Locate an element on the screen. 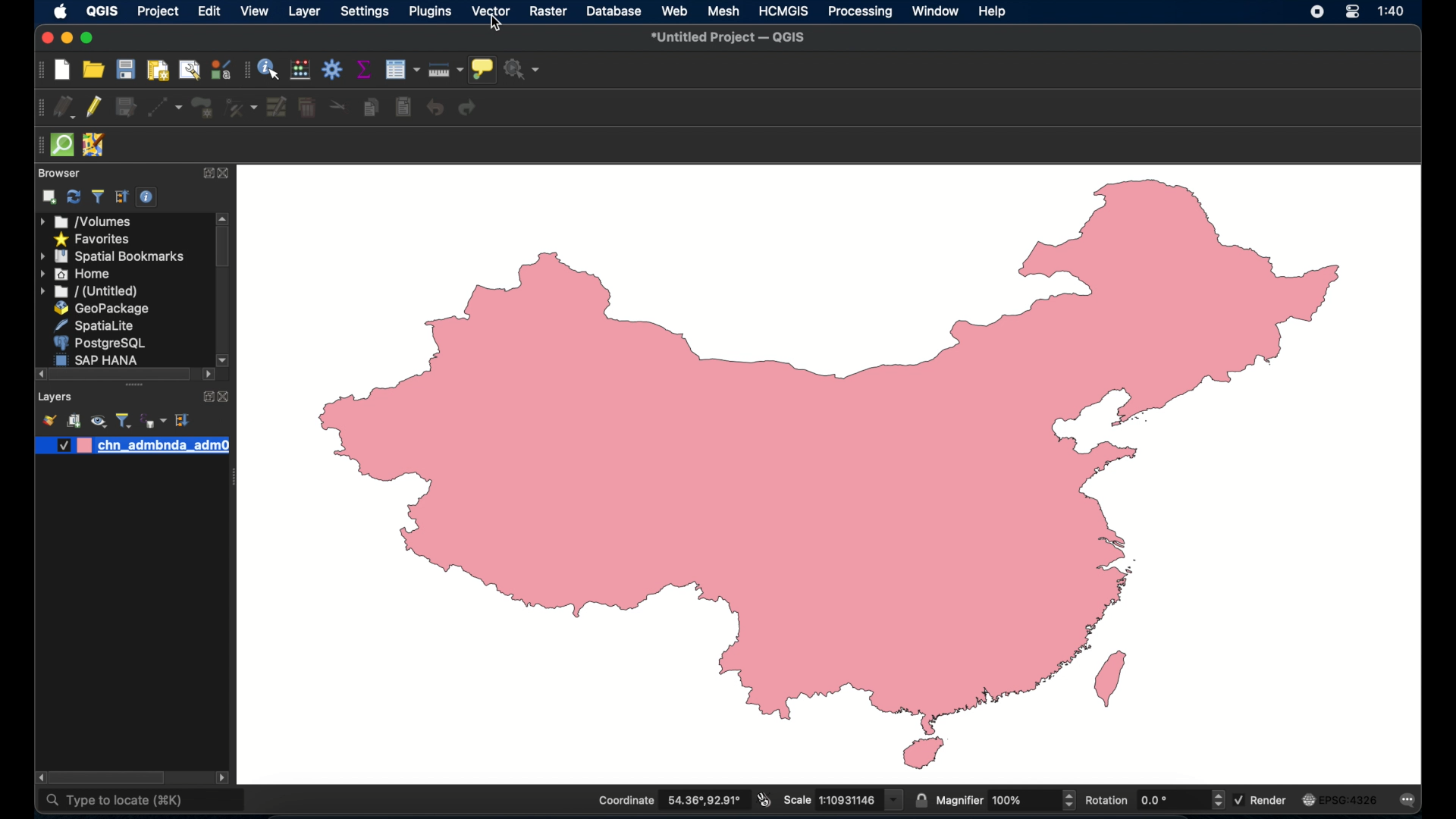  redo is located at coordinates (468, 108).